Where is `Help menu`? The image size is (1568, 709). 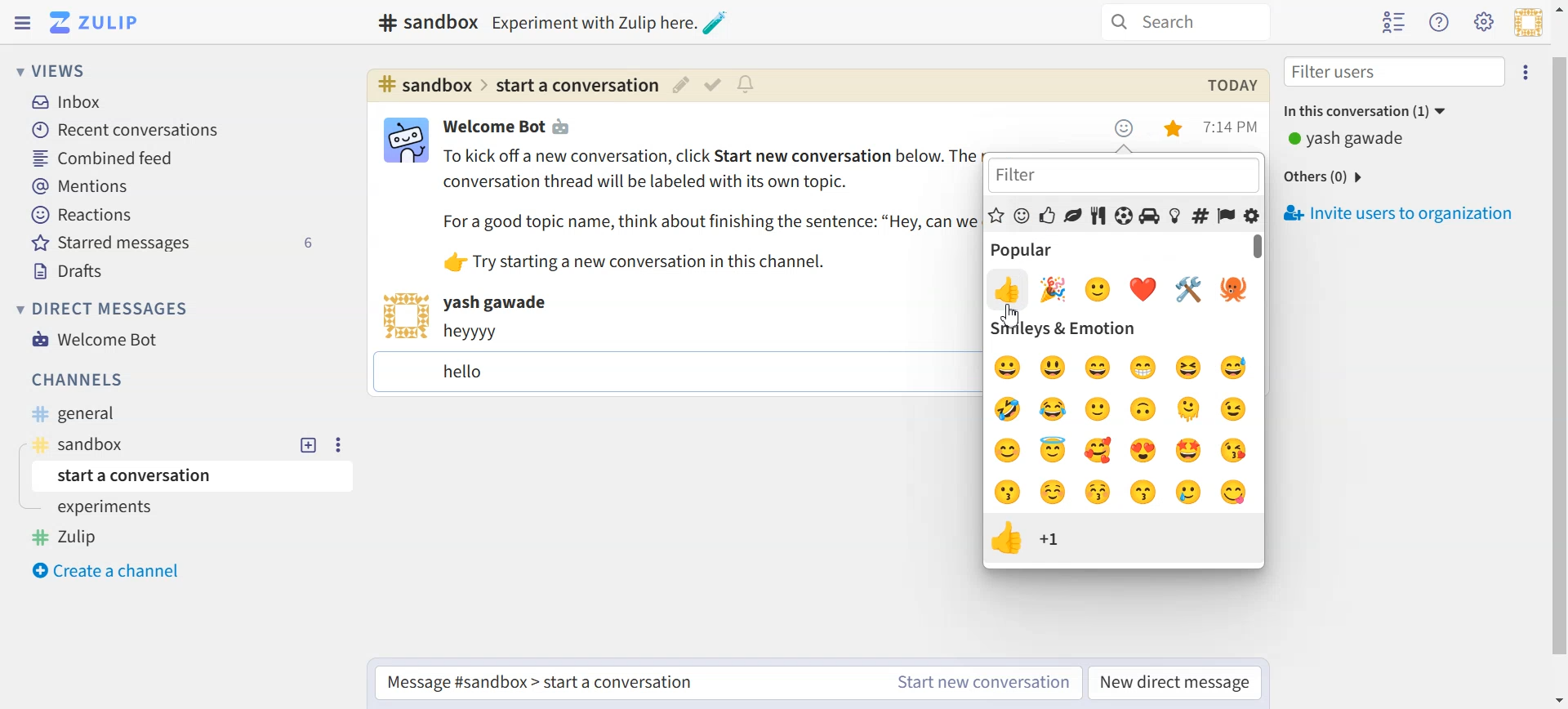
Help menu is located at coordinates (1440, 21).